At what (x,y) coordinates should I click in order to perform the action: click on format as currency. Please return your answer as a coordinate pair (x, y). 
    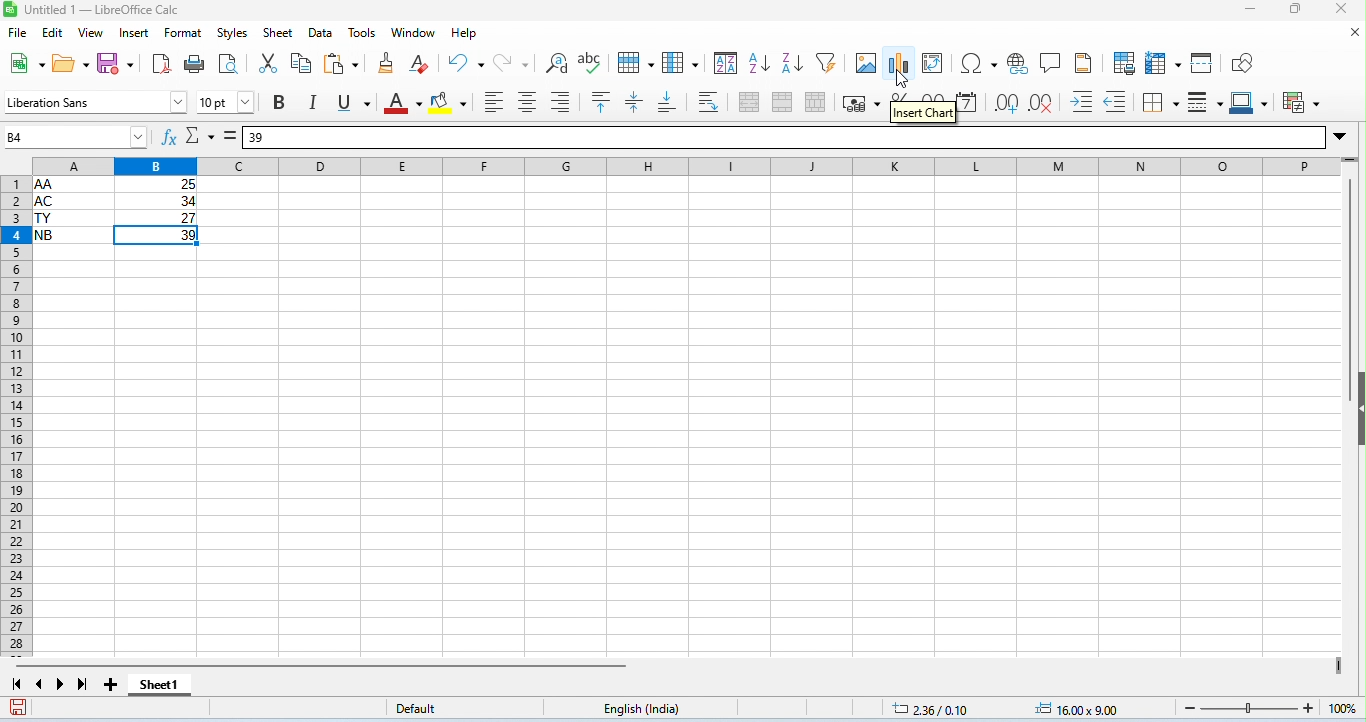
    Looking at the image, I should click on (862, 104).